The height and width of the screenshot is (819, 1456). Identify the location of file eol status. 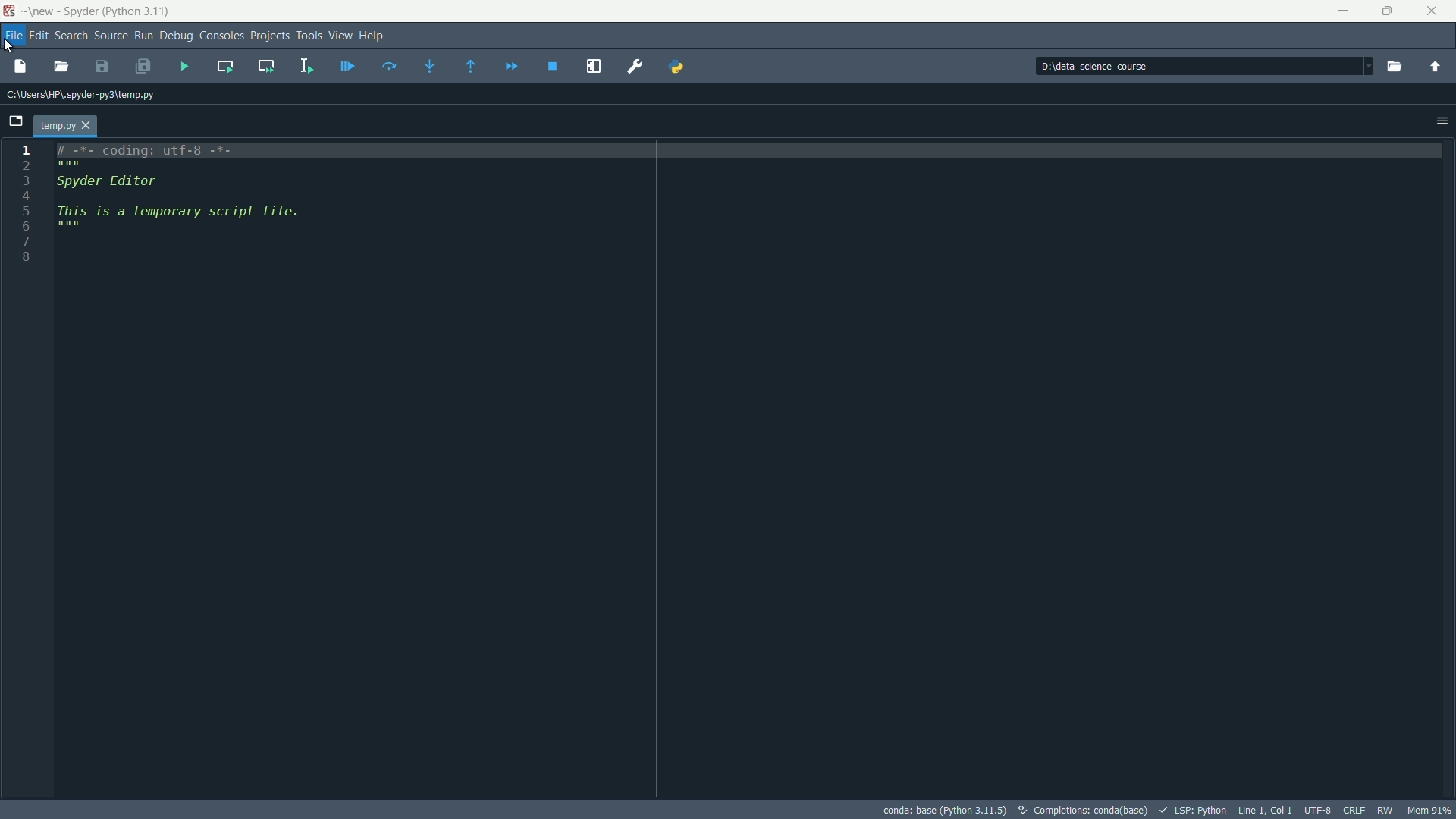
(1351, 809).